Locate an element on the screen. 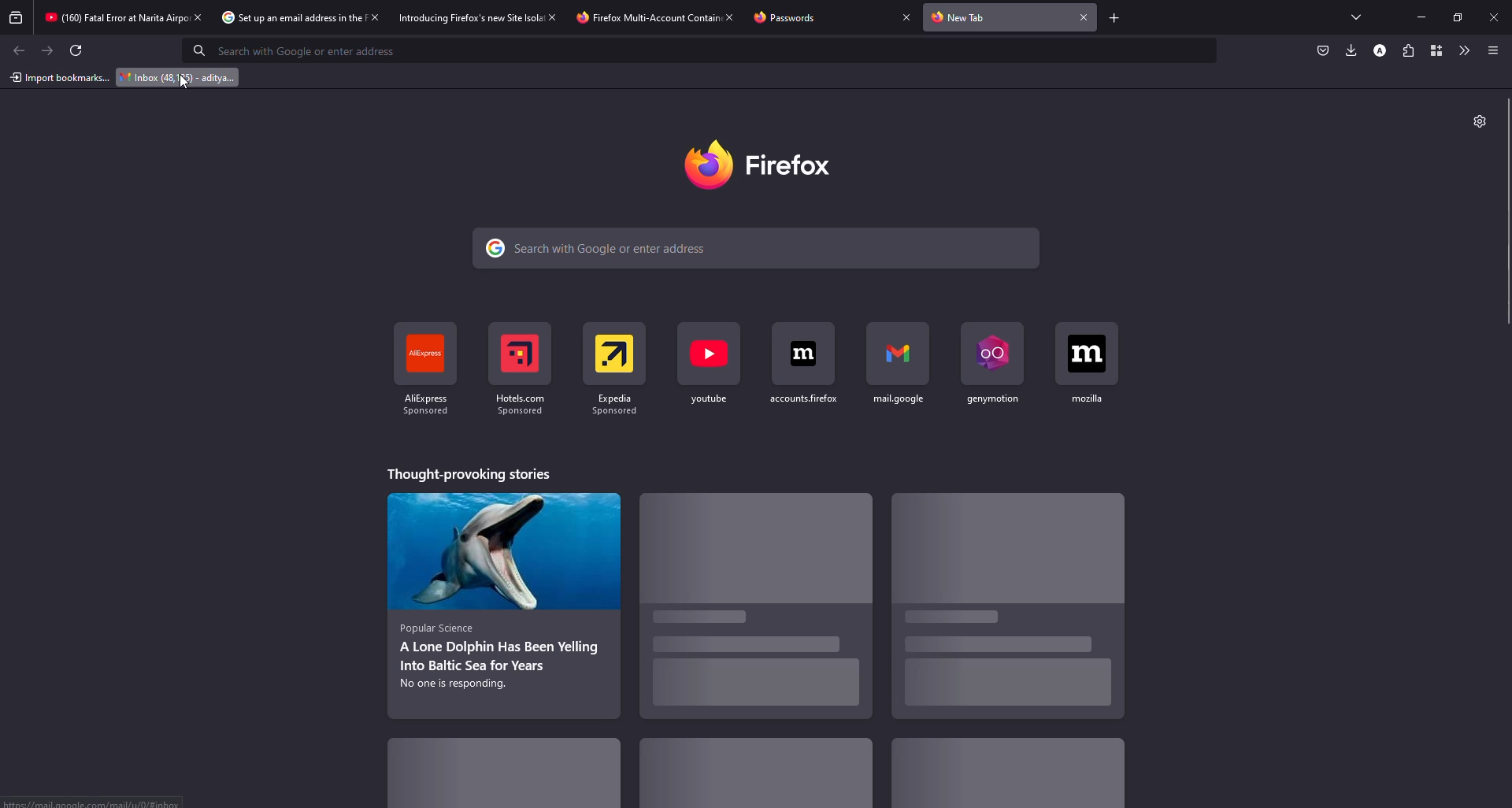  settings is located at coordinates (1476, 120).